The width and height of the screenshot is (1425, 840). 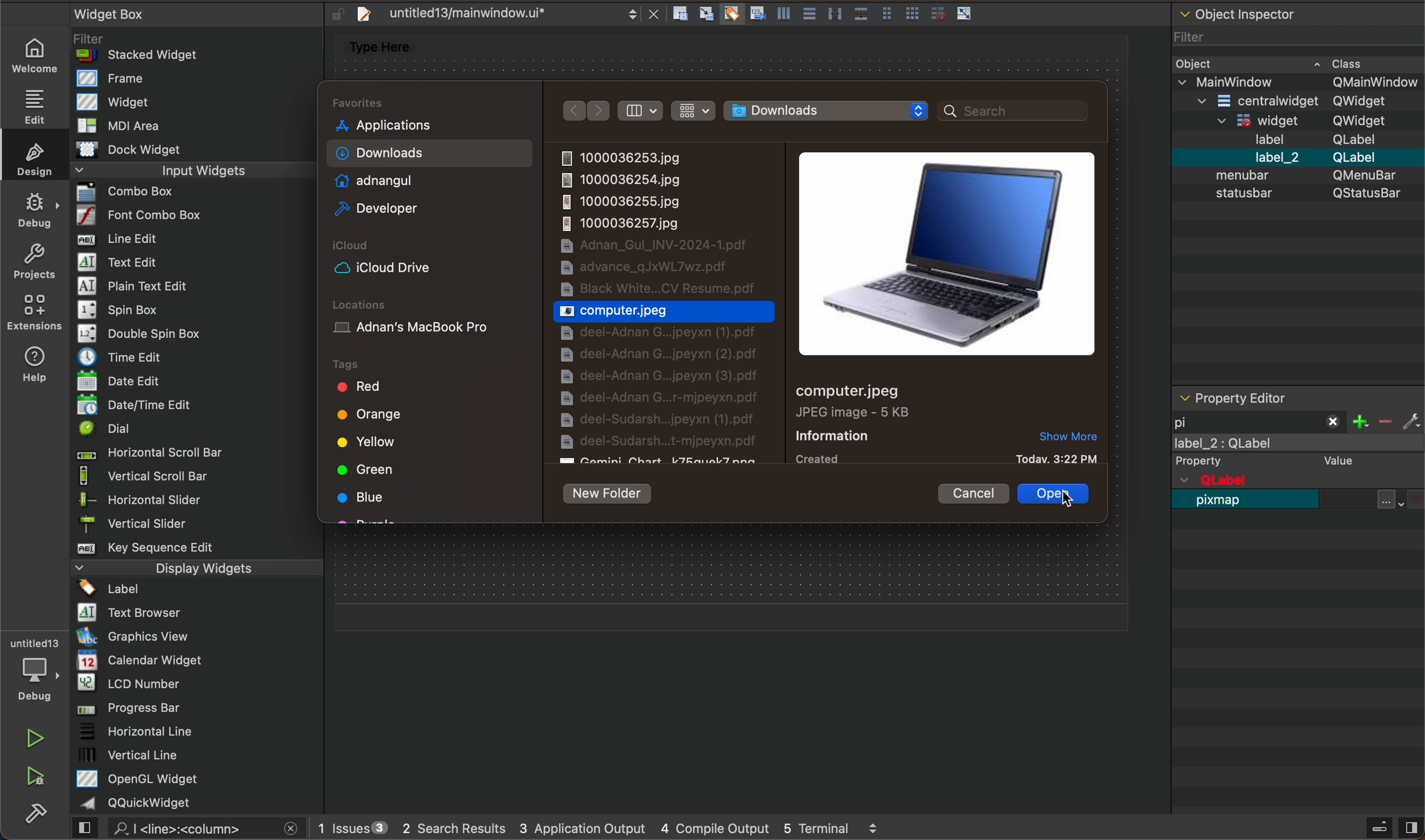 I want to click on image details, so click(x=846, y=424).